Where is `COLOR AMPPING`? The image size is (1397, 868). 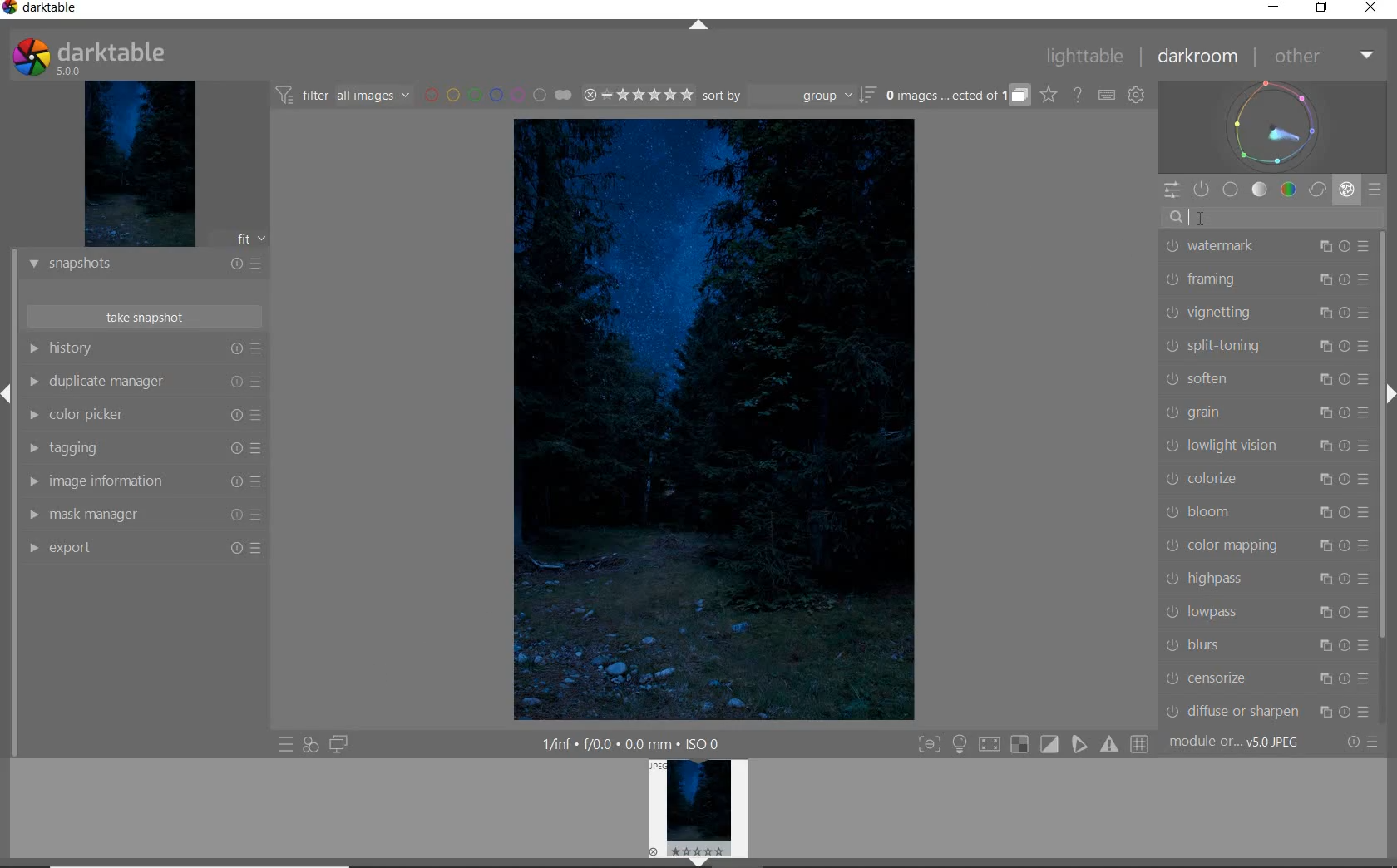 COLOR AMPPING is located at coordinates (1266, 545).